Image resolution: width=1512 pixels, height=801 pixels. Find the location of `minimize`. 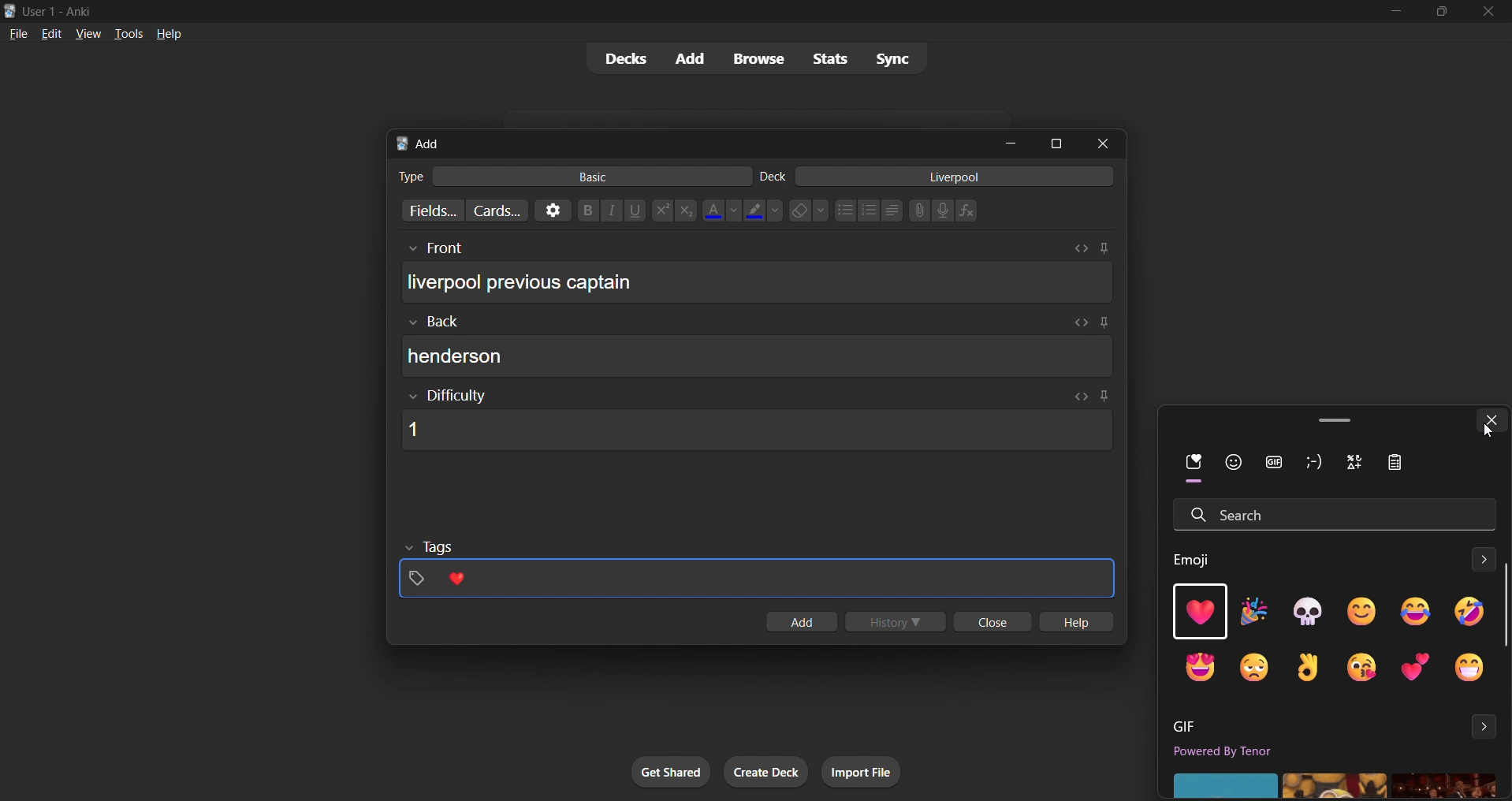

minimize is located at coordinates (1014, 144).